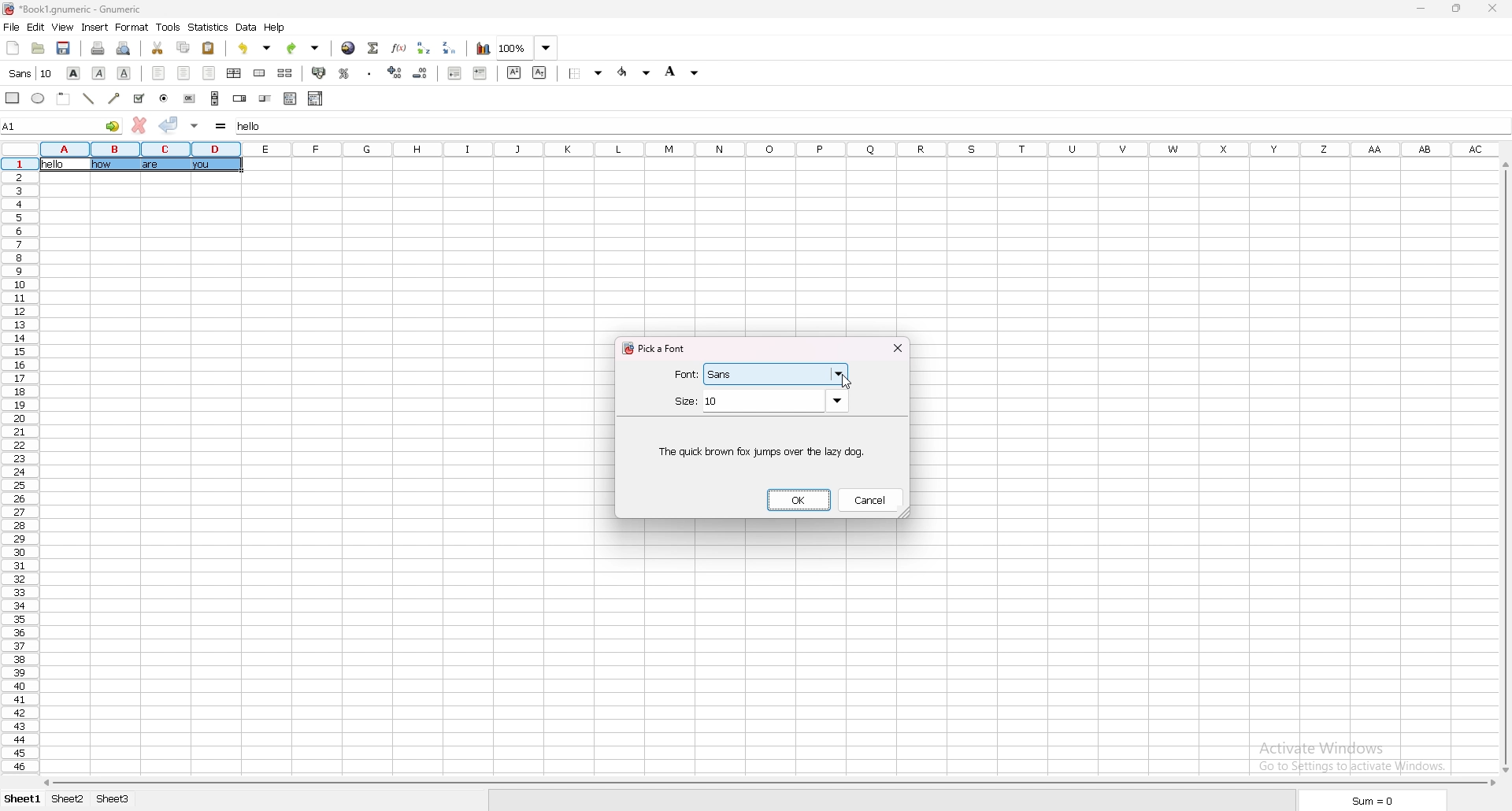  I want to click on background, so click(684, 71).